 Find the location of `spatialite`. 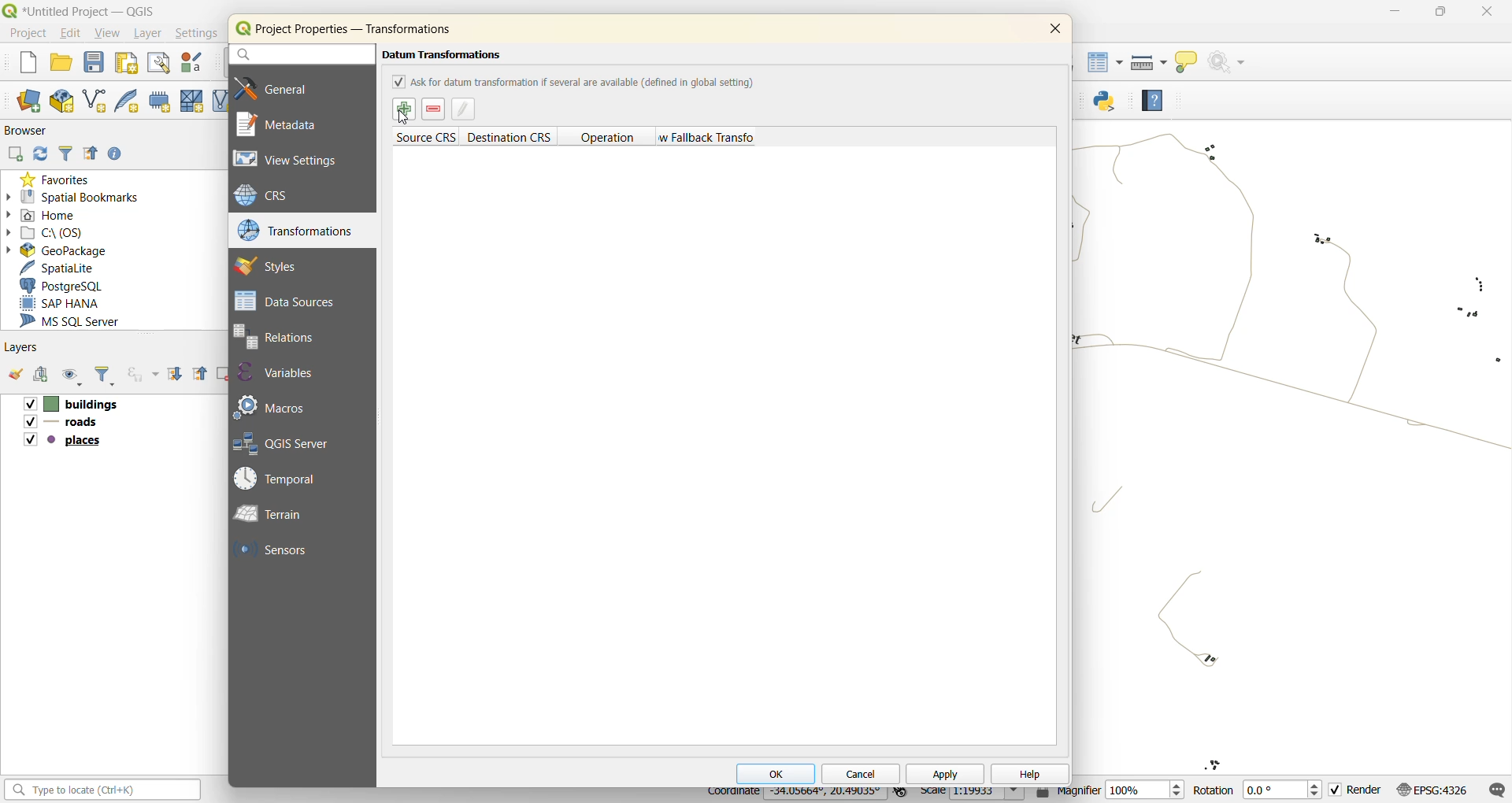

spatialite is located at coordinates (63, 267).